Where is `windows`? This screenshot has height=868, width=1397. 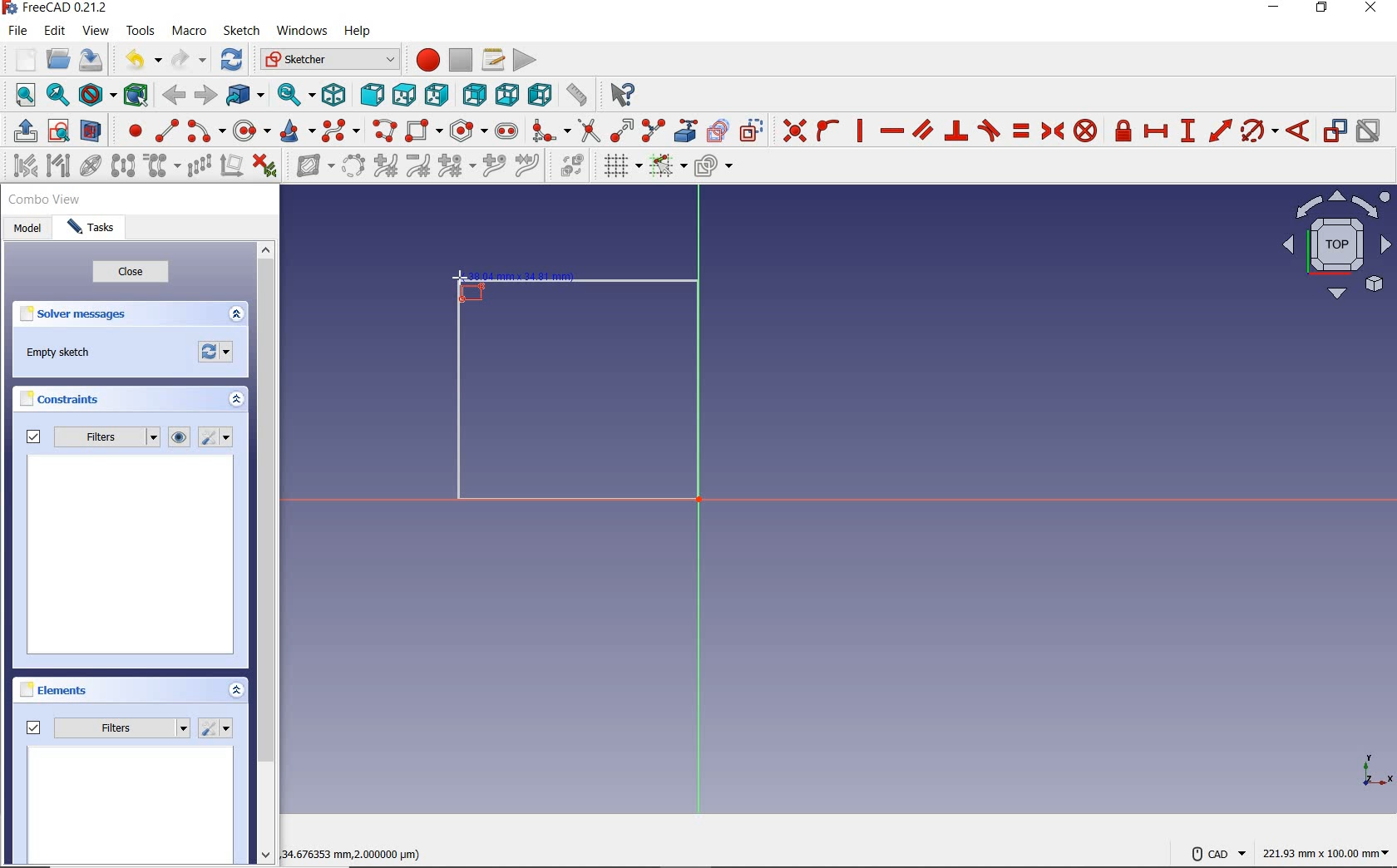
windows is located at coordinates (302, 31).